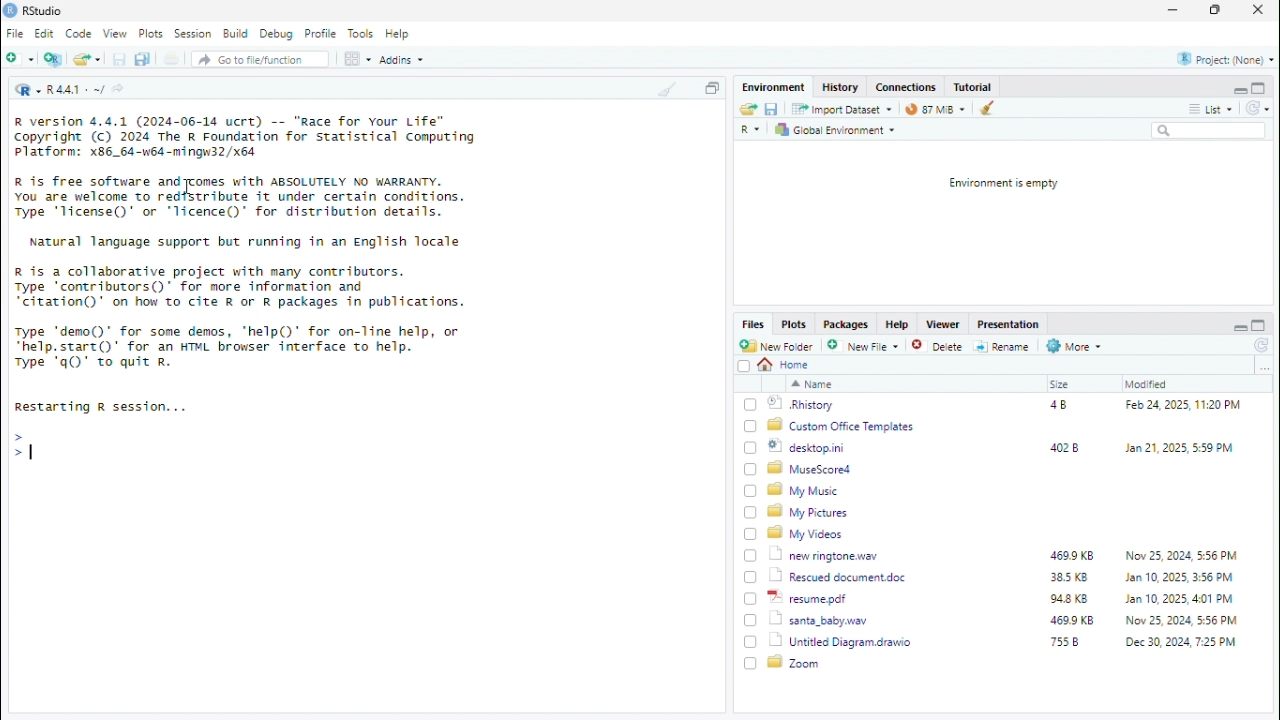  I want to click on Zoom, so click(795, 662).